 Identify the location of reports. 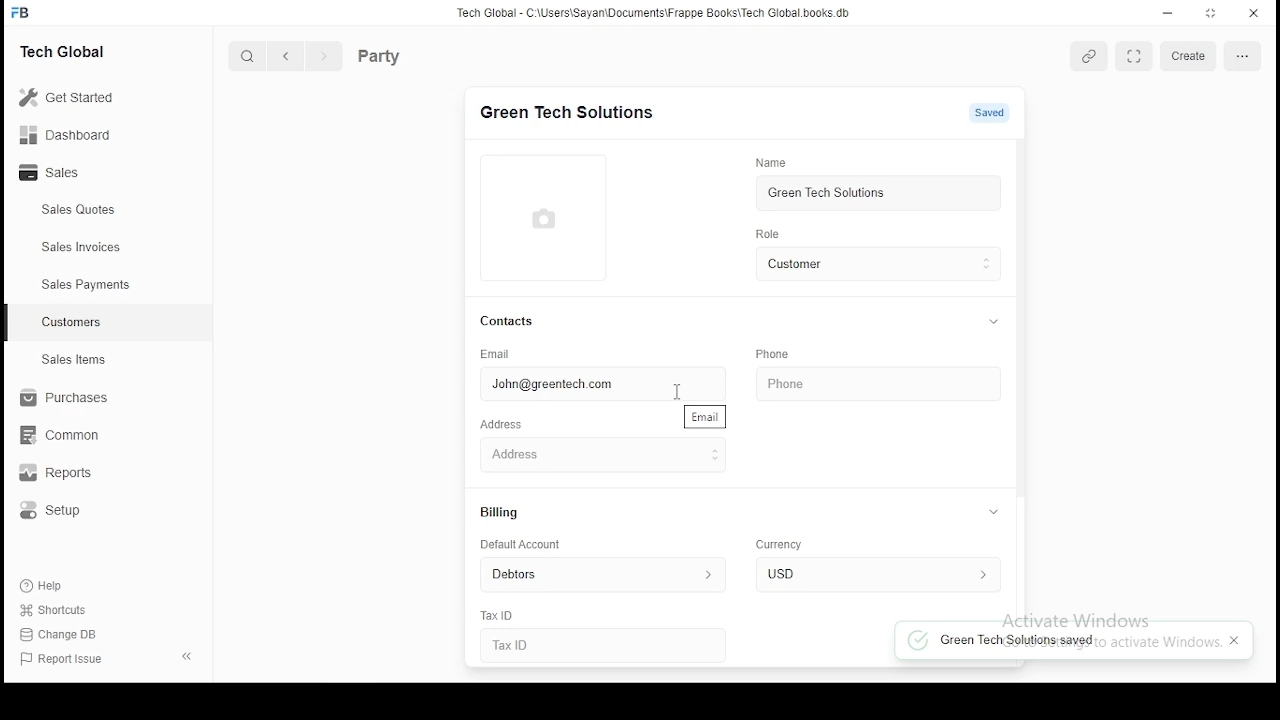
(64, 474).